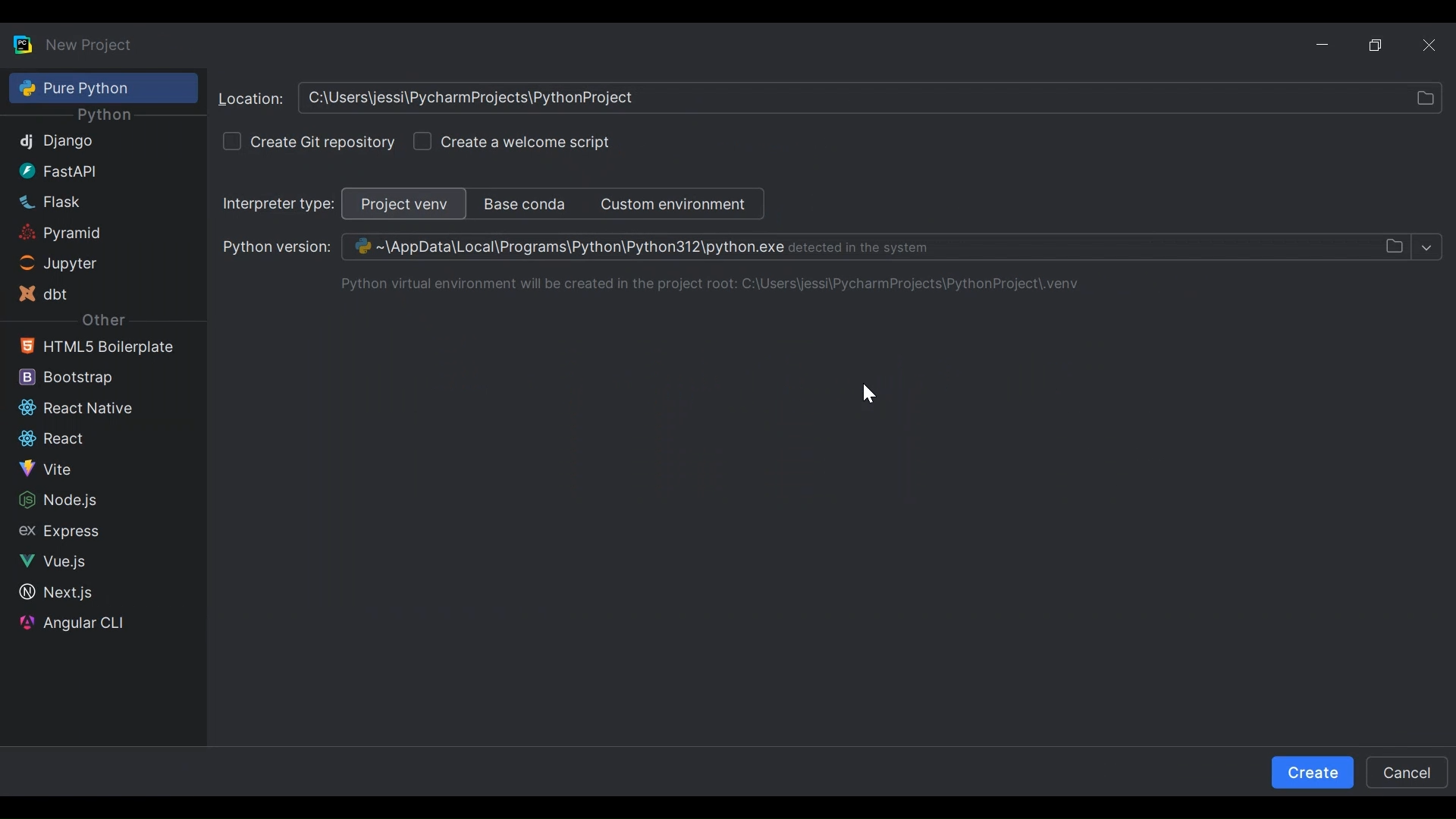  What do you see at coordinates (310, 143) in the screenshot?
I see `(un)check create Git repository` at bounding box center [310, 143].